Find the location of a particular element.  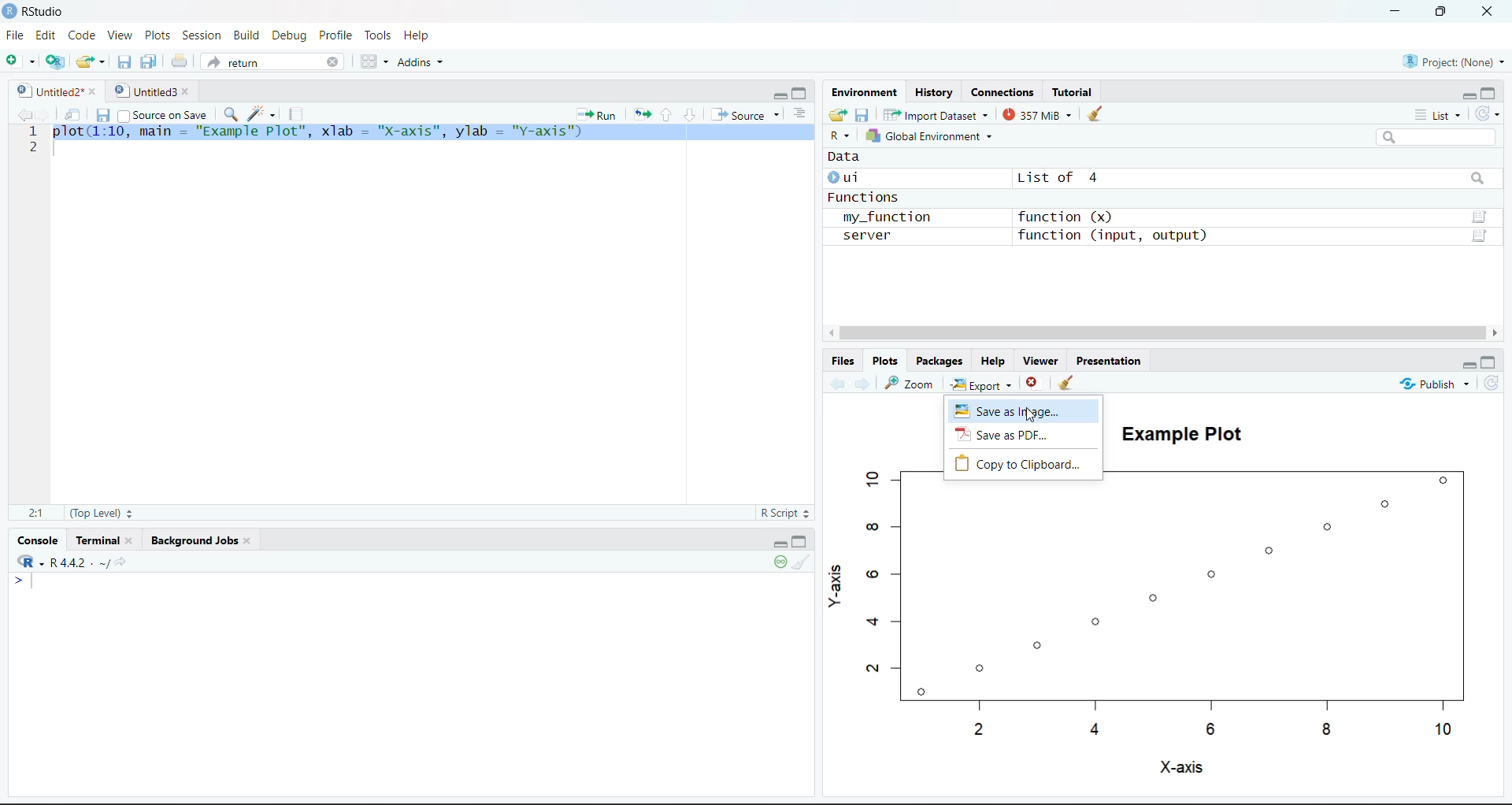

Refresh file listing is located at coordinates (1491, 384).